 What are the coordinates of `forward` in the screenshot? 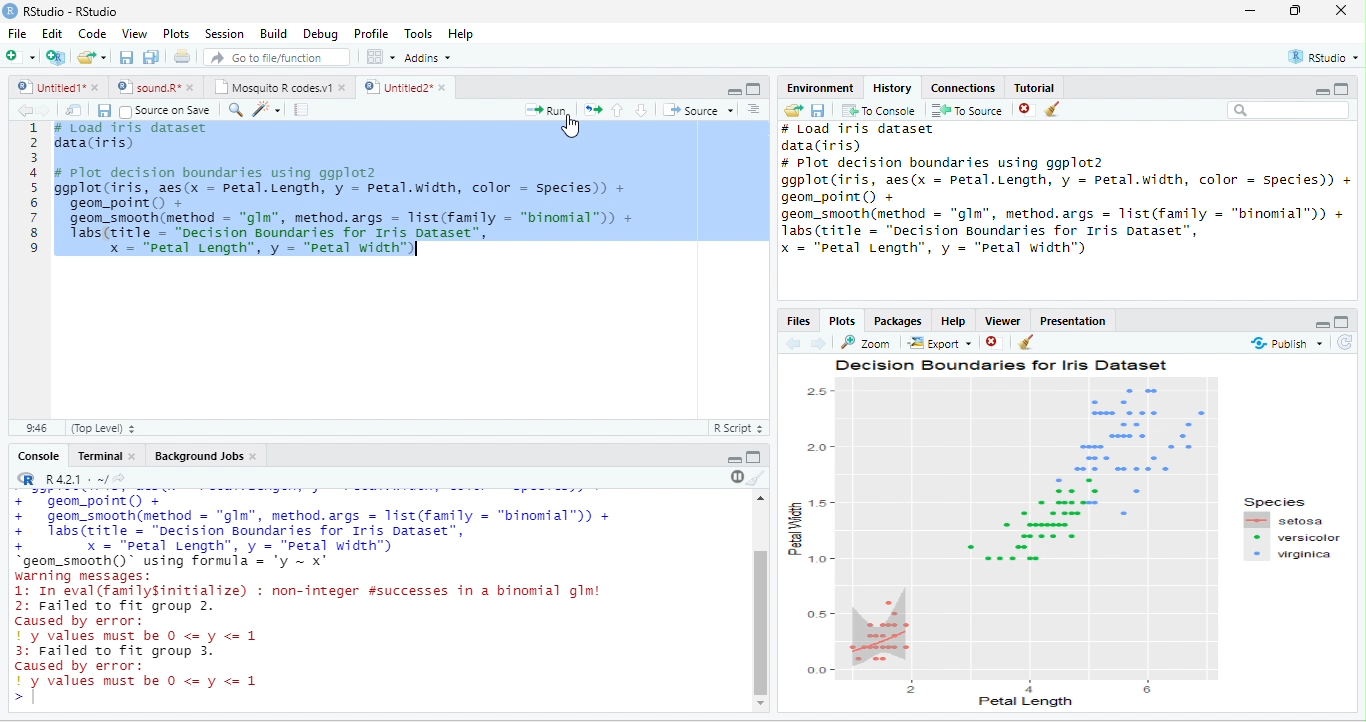 It's located at (46, 111).